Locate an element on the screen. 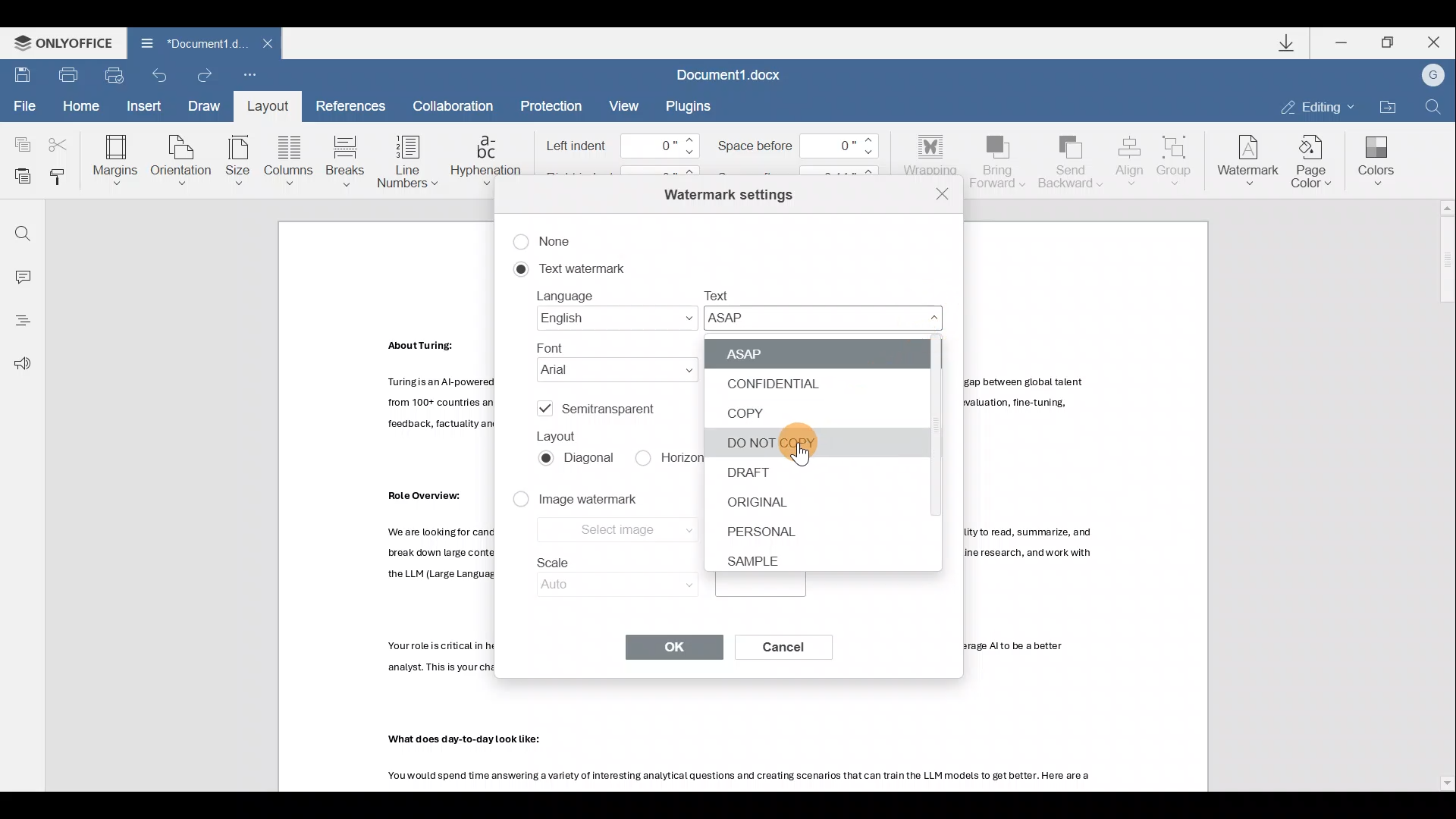 This screenshot has width=1456, height=819. ONLYOFFICE is located at coordinates (63, 42).